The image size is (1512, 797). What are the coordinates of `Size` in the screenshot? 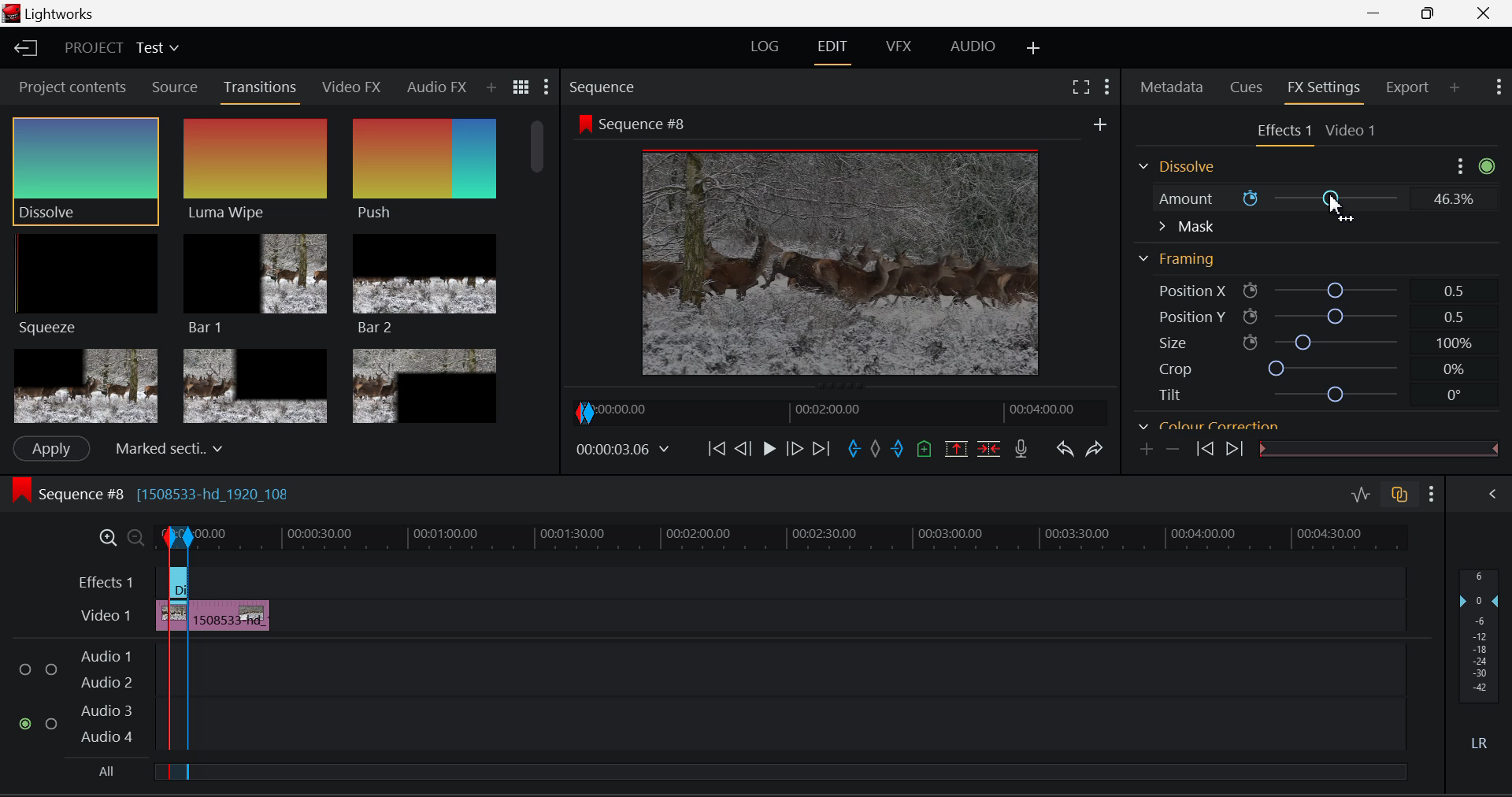 It's located at (1307, 343).